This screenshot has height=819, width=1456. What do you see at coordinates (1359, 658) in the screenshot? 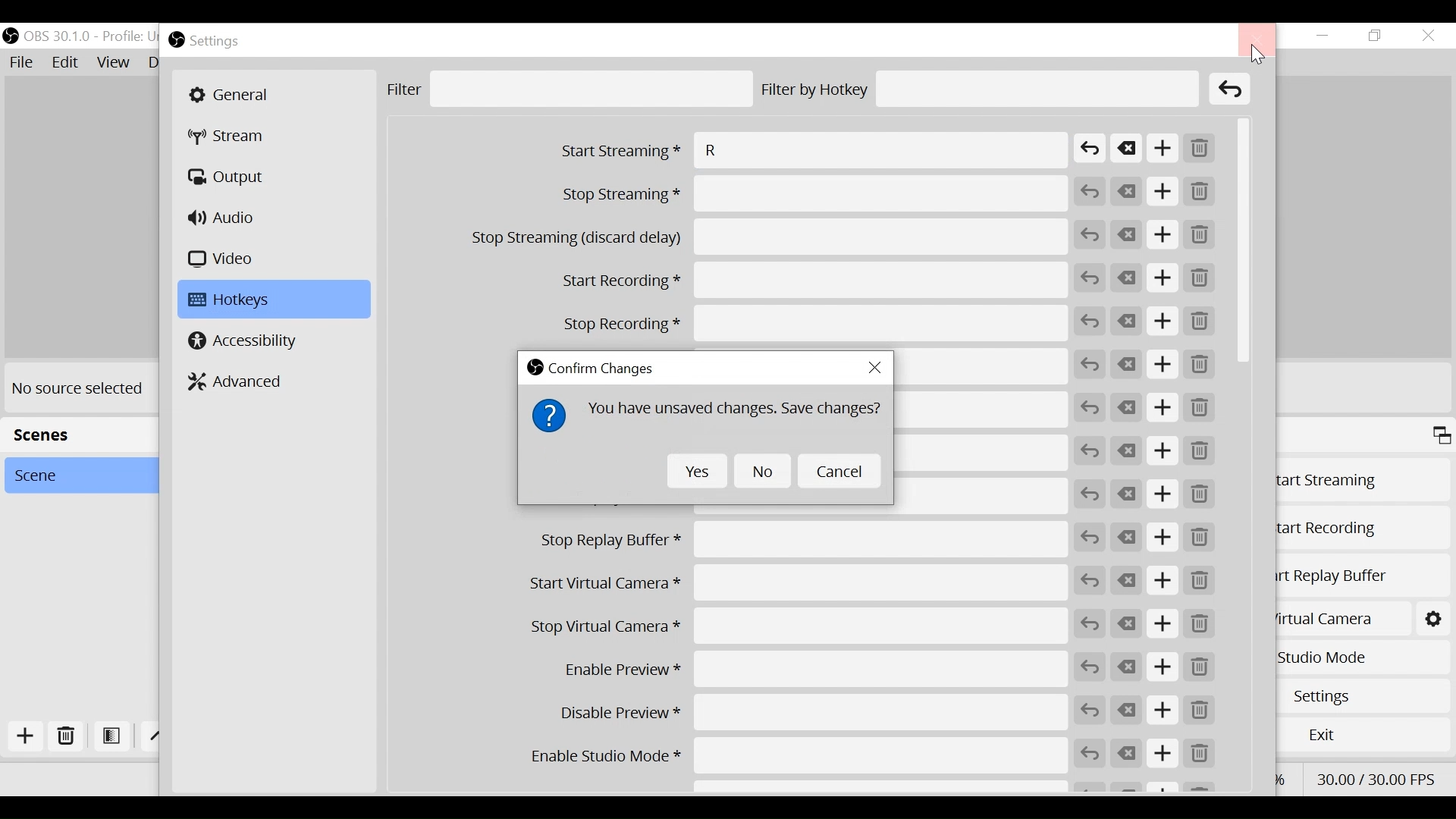
I see `Studio Mode` at bounding box center [1359, 658].